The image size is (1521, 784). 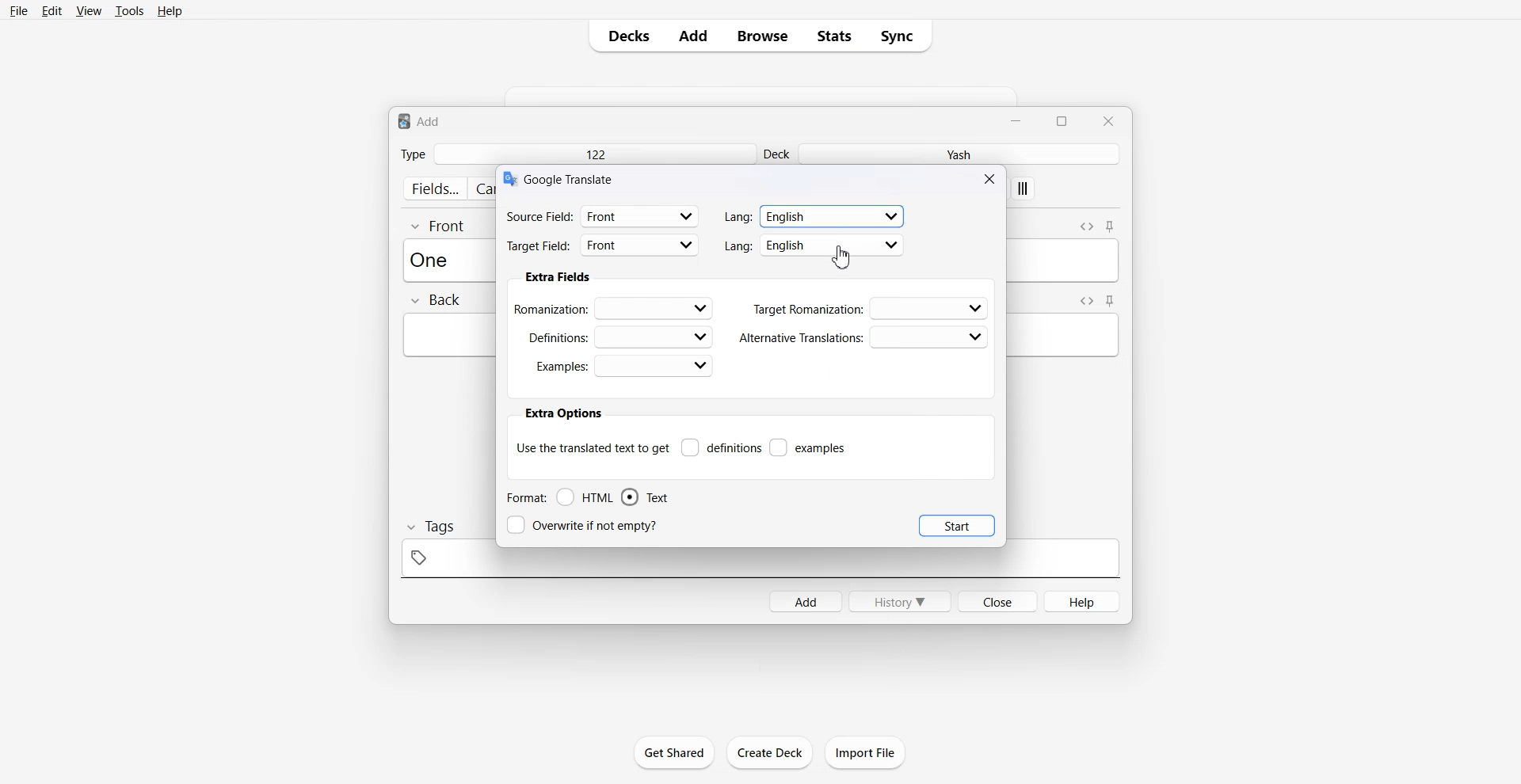 I want to click on Sync, so click(x=902, y=36).